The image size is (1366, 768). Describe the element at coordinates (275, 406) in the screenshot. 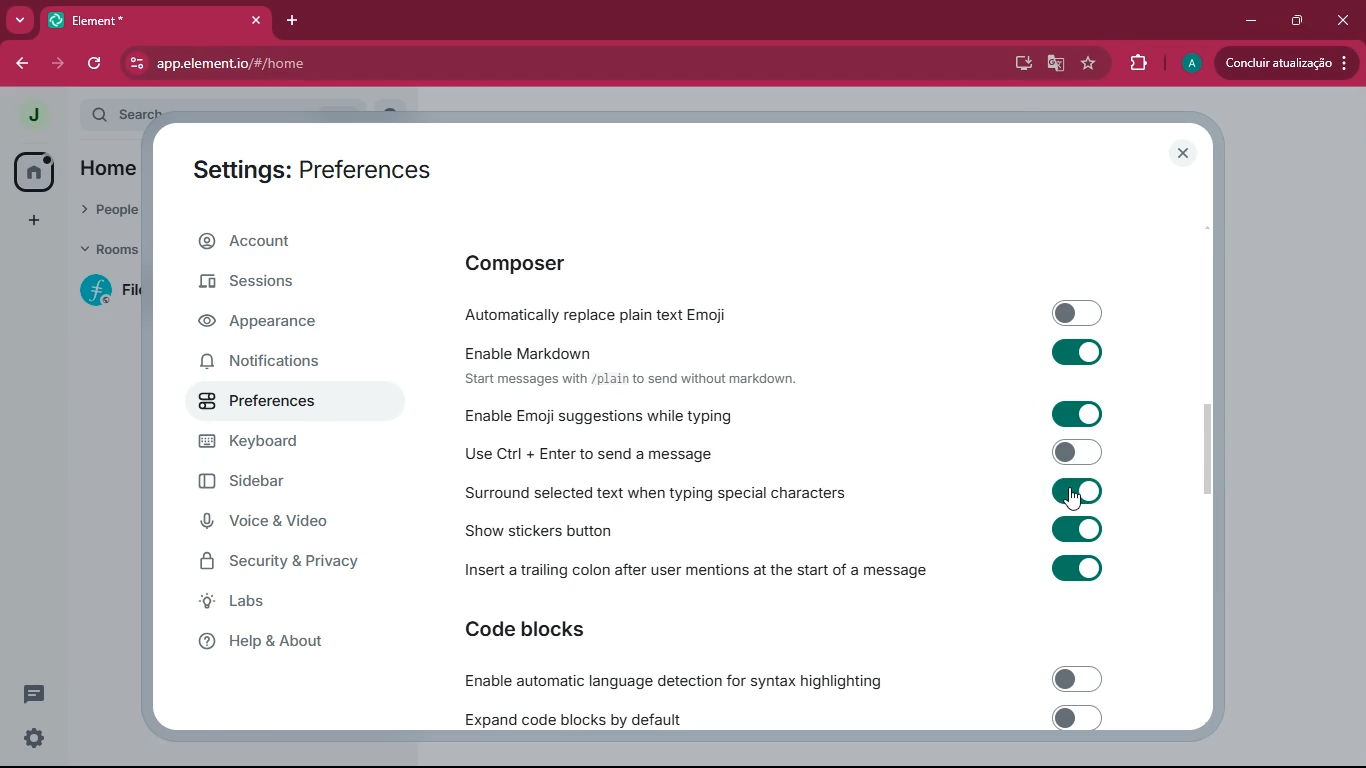

I see `preferences` at that location.